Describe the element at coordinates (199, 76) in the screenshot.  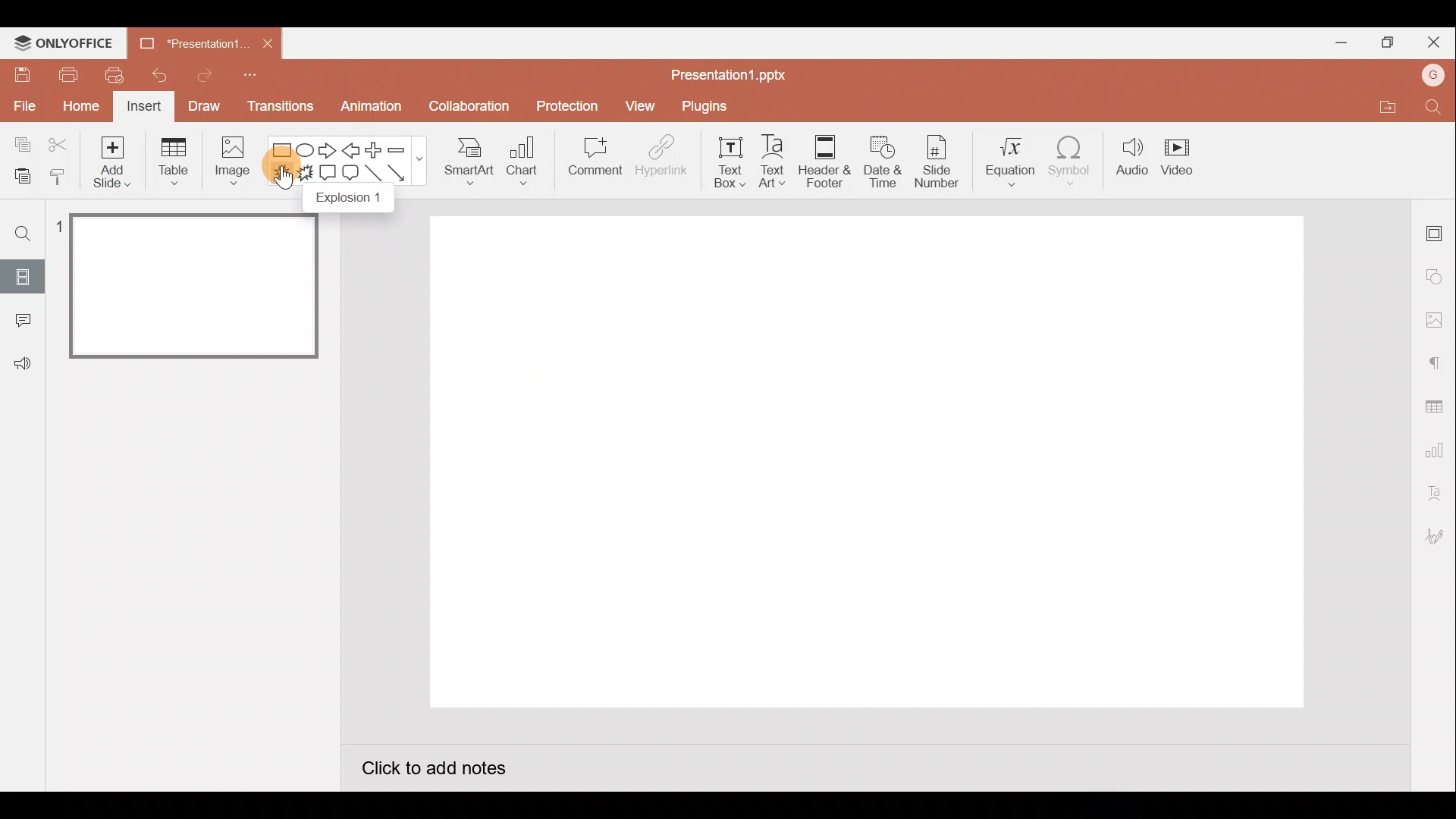
I see `Redo` at that location.